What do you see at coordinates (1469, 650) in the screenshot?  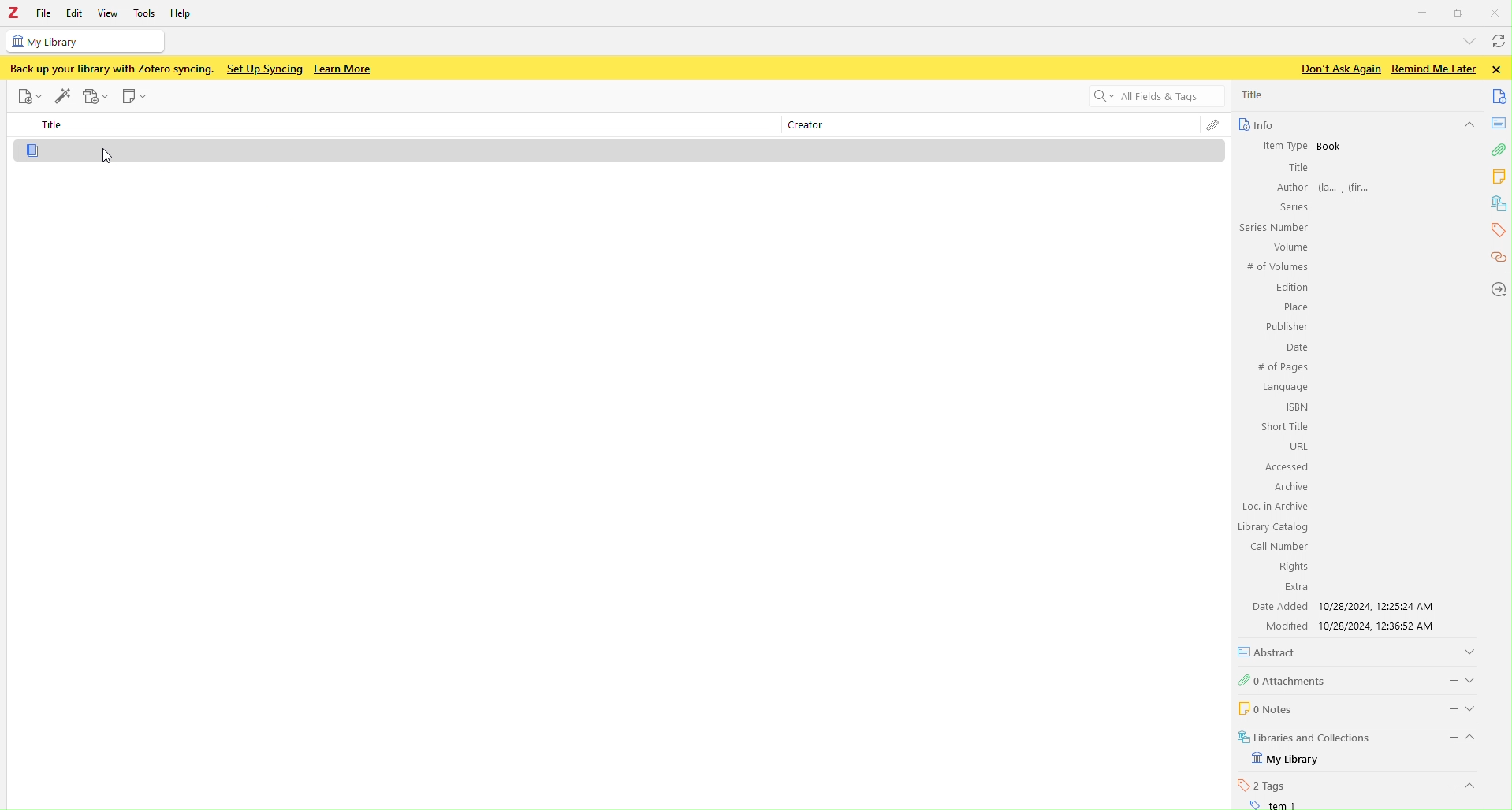 I see `show` at bounding box center [1469, 650].